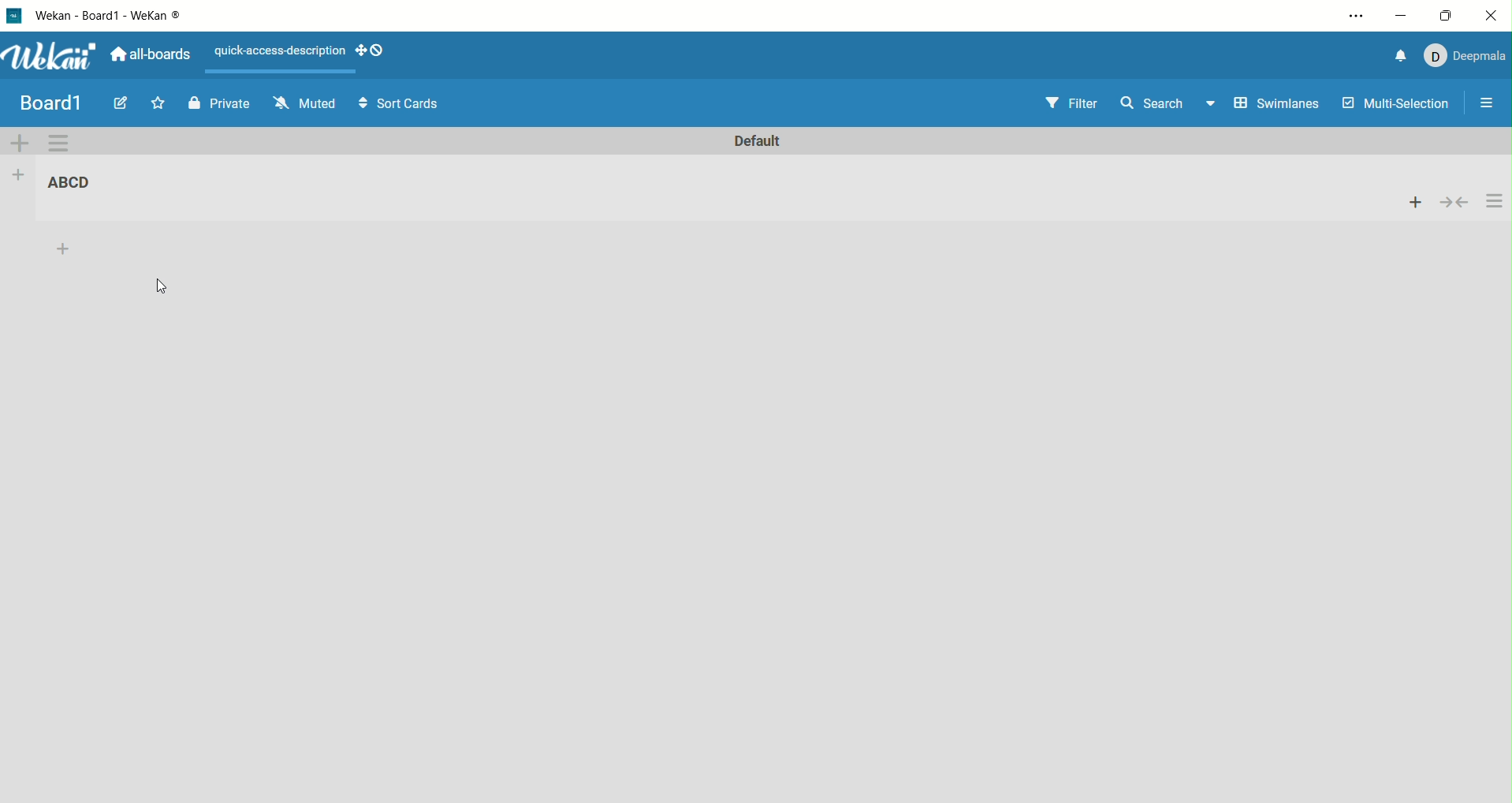 This screenshot has width=1512, height=803. I want to click on cursor, so click(158, 283).